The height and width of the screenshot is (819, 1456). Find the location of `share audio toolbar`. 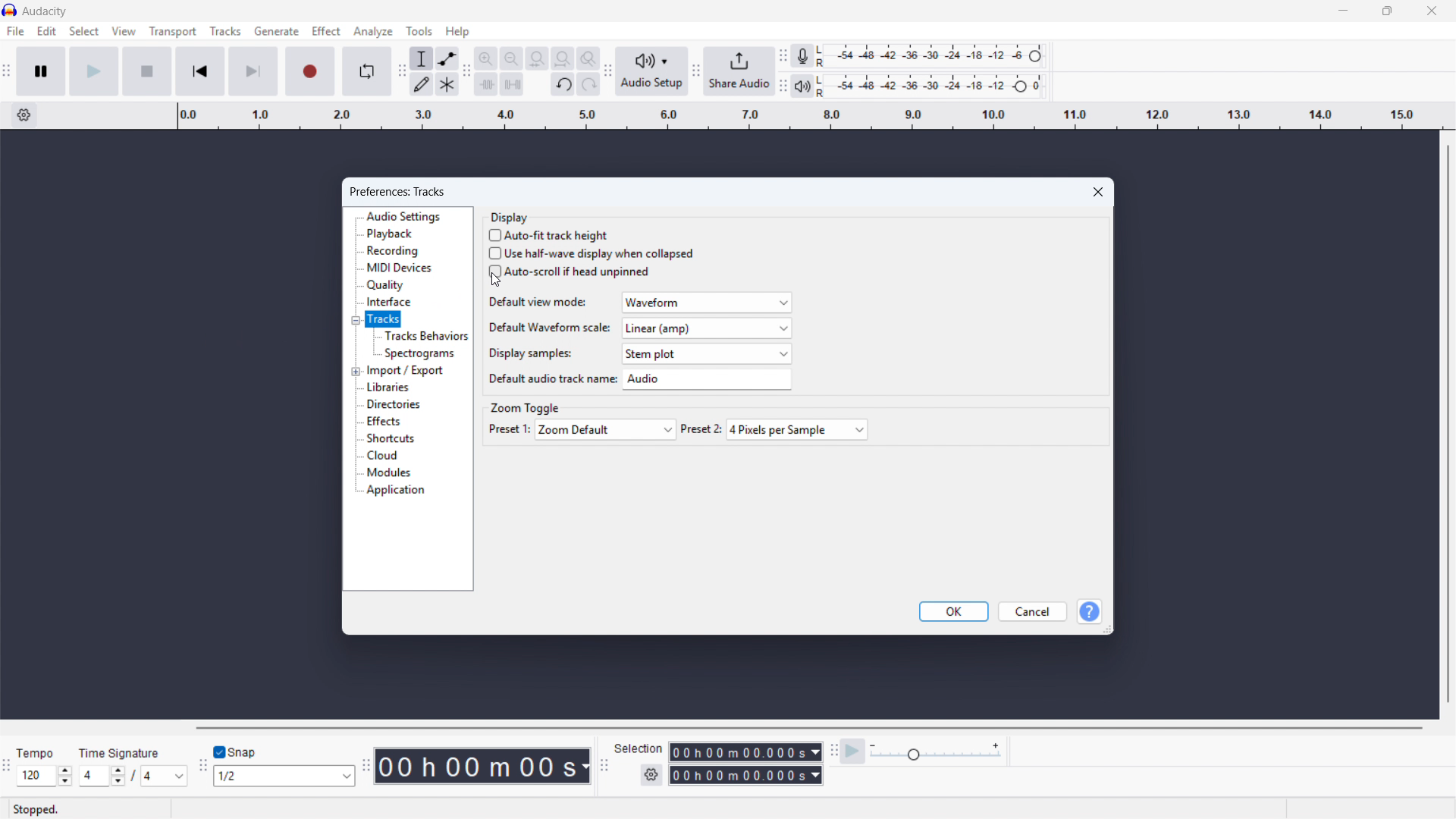

share audio toolbar is located at coordinates (695, 71).